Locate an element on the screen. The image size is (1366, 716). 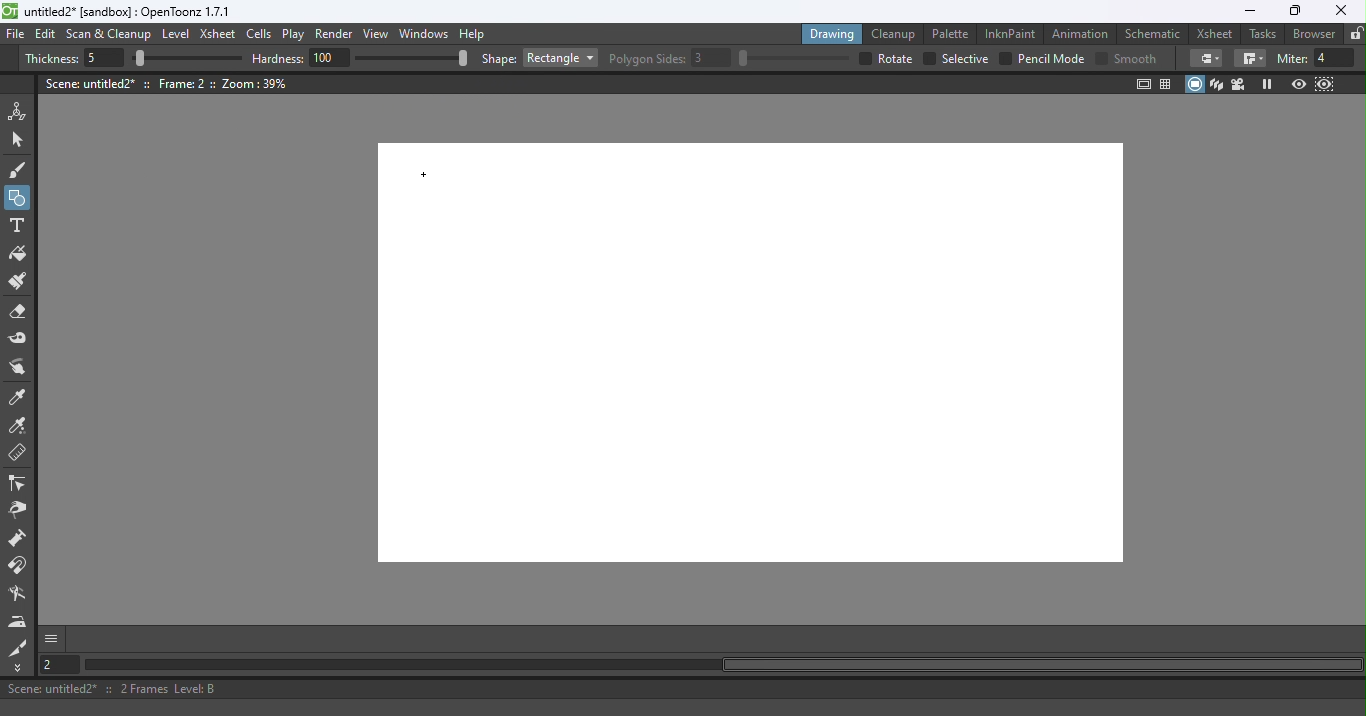
Blender tool is located at coordinates (21, 595).